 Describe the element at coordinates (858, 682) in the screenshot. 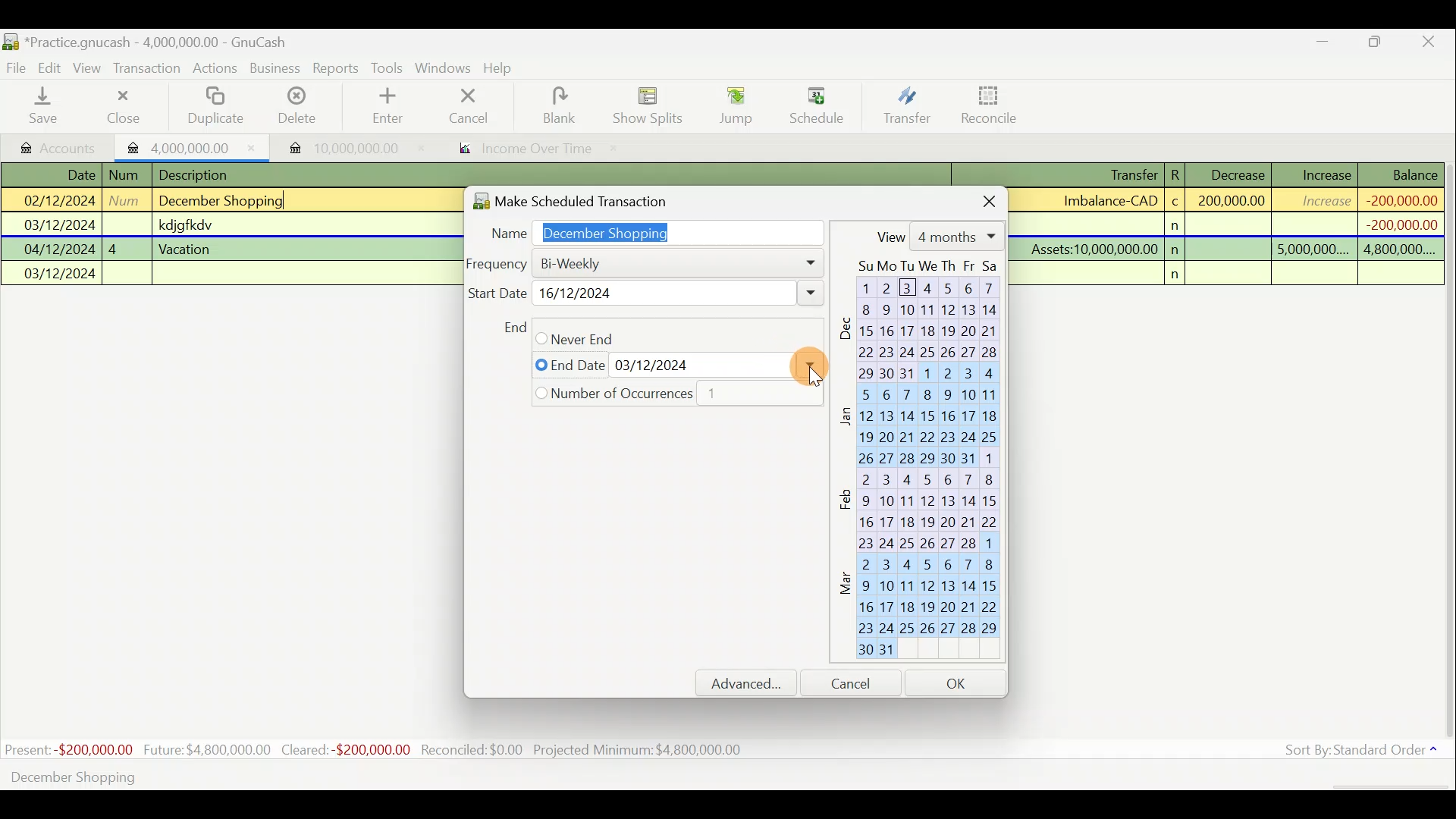

I see `Cancel` at that location.